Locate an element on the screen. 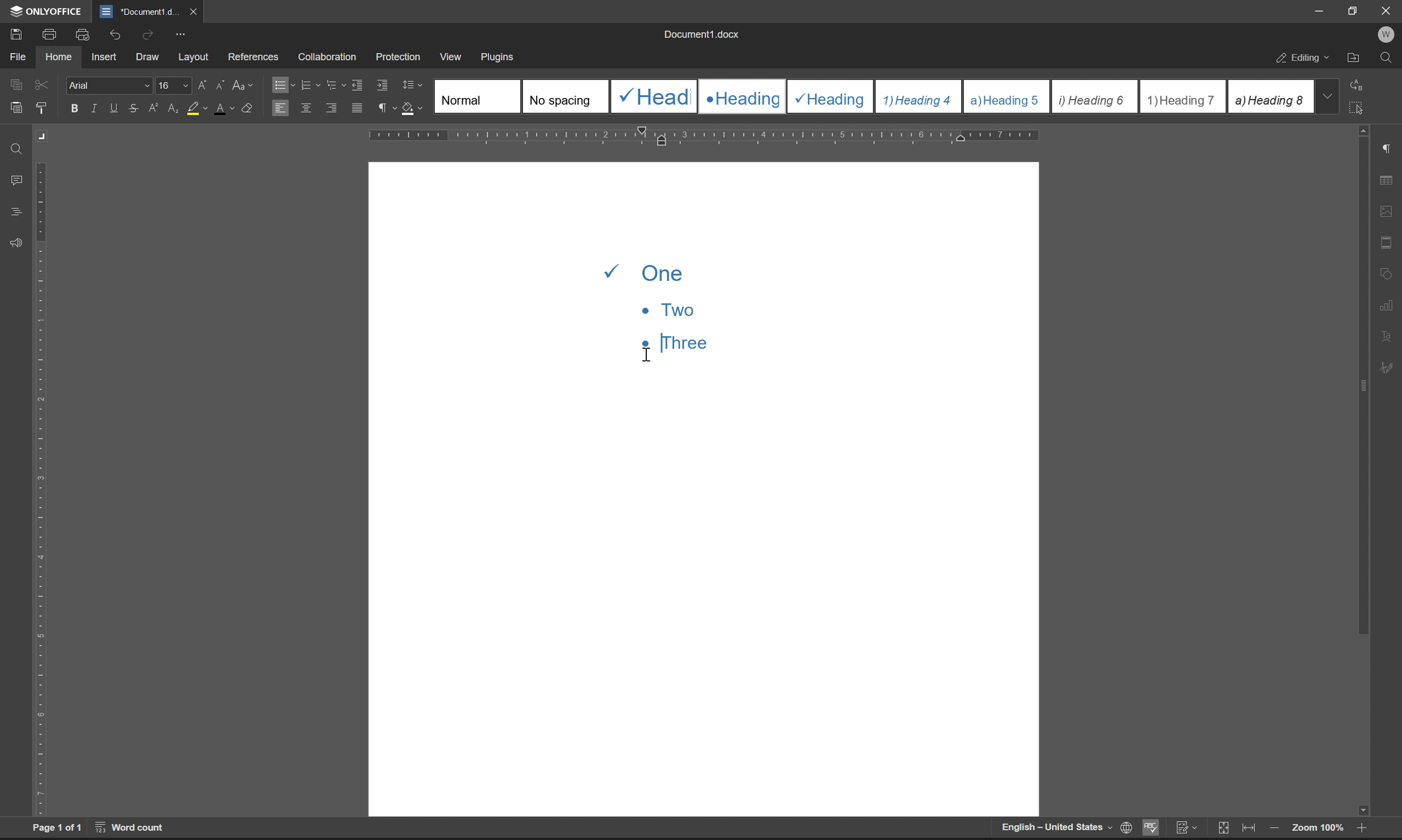 This screenshot has width=1402, height=840. select all is located at coordinates (1359, 107).